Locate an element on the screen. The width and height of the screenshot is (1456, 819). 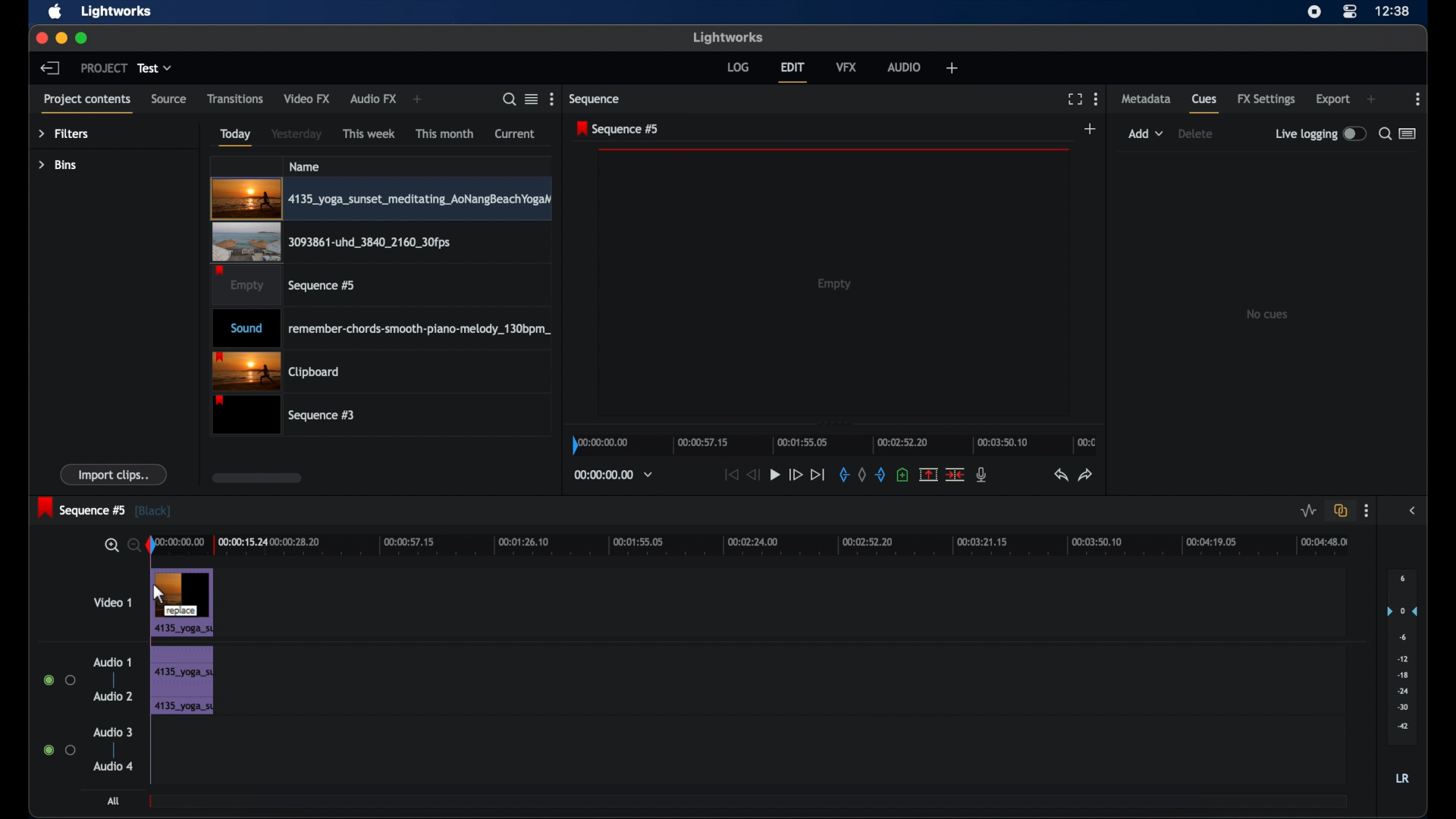
source is located at coordinates (168, 99).